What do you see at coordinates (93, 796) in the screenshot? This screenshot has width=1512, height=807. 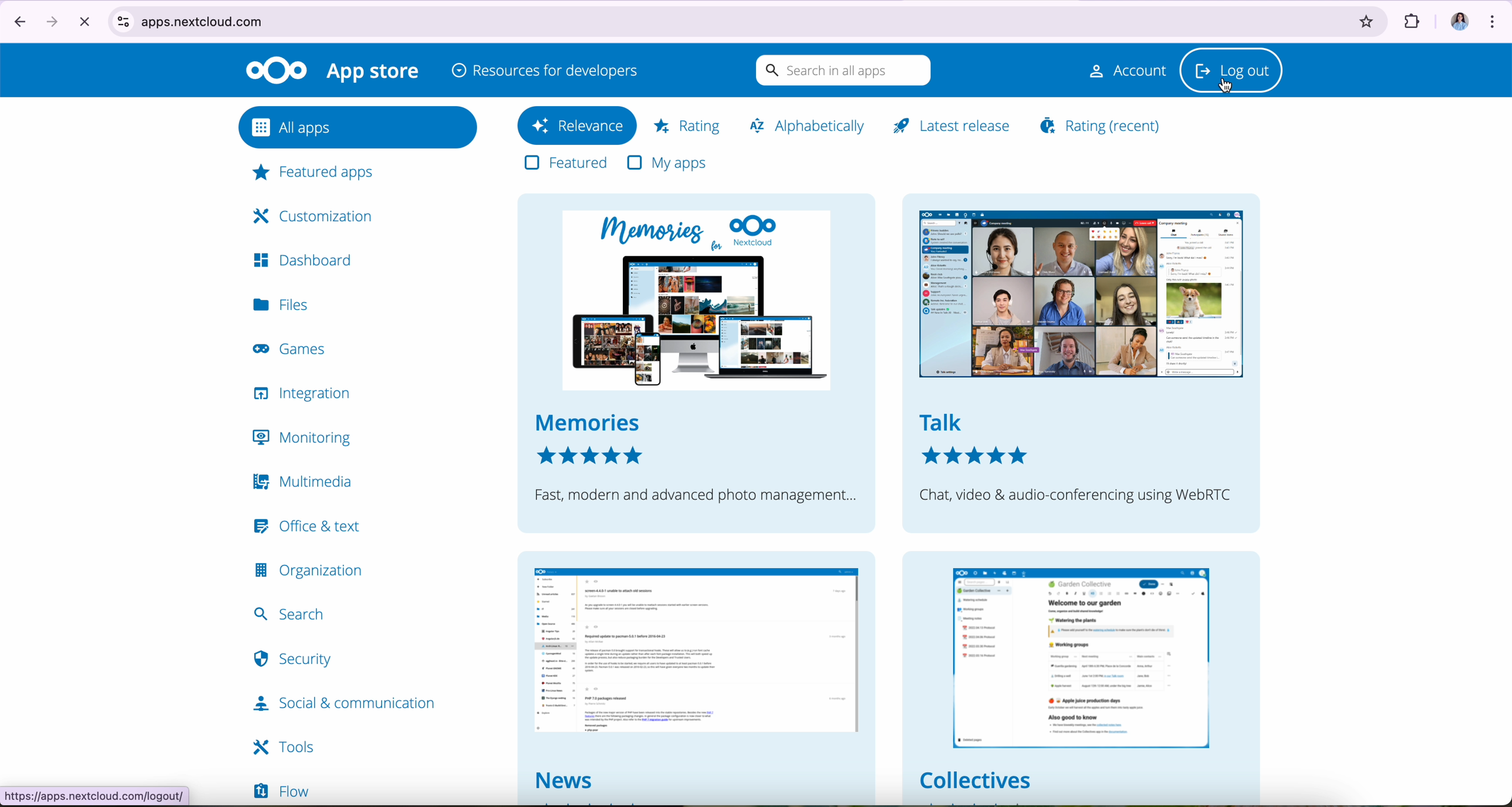 I see `https.//apps.nextcloud.com/logout.` at bounding box center [93, 796].